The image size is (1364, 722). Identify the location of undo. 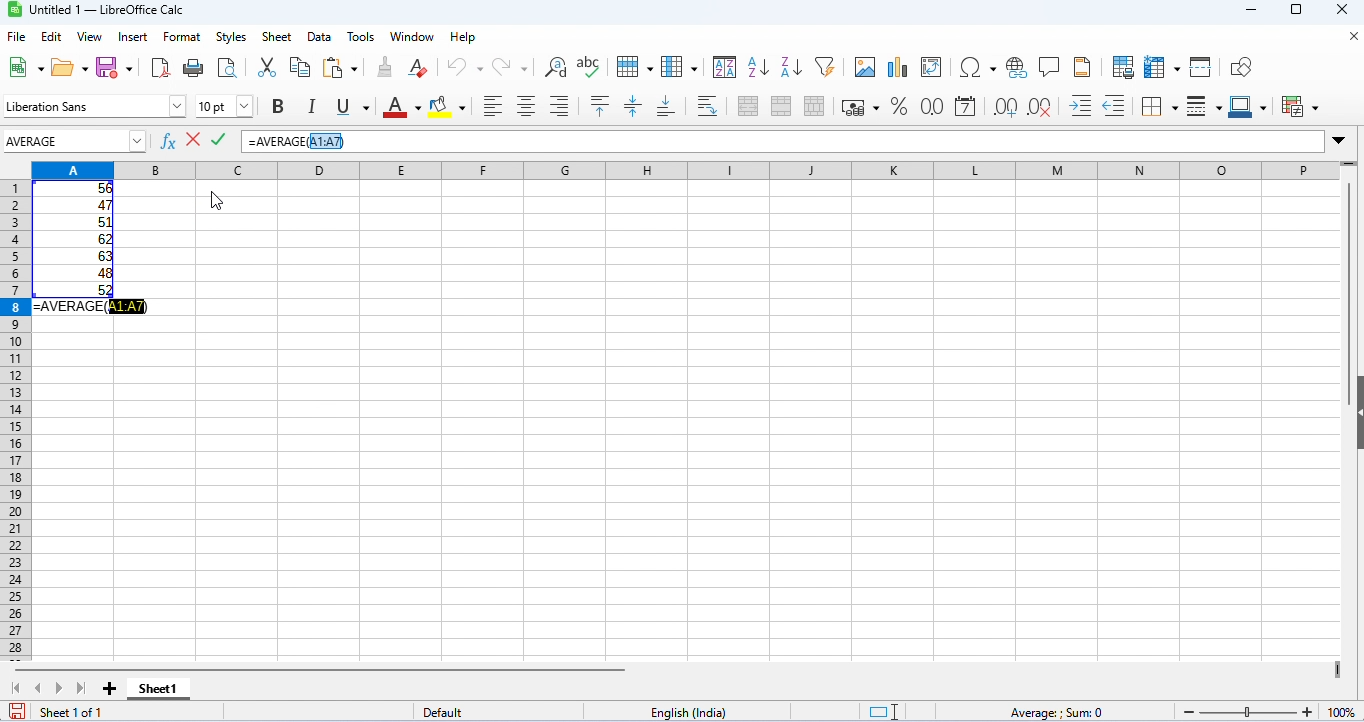
(465, 67).